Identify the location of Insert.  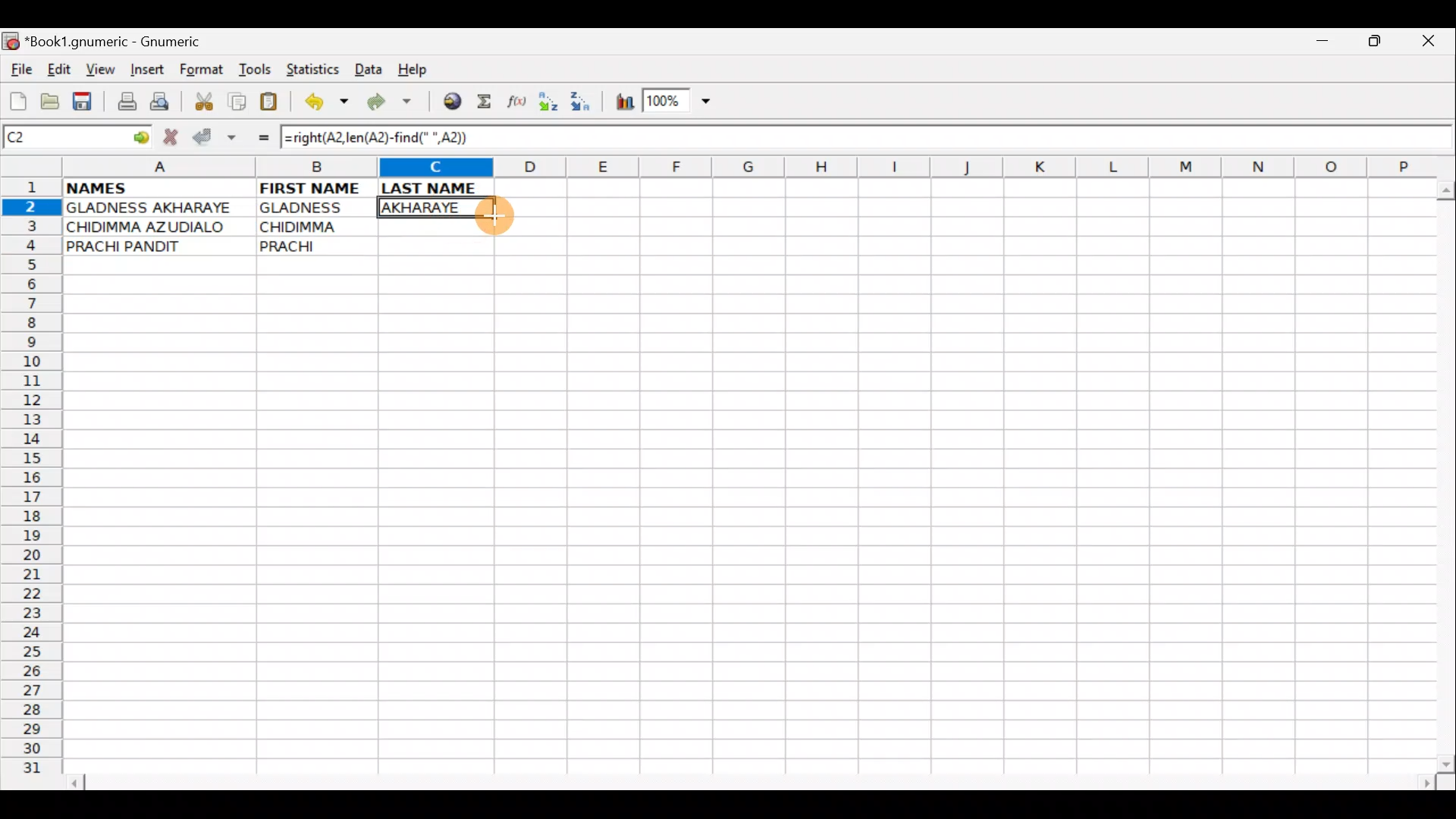
(146, 70).